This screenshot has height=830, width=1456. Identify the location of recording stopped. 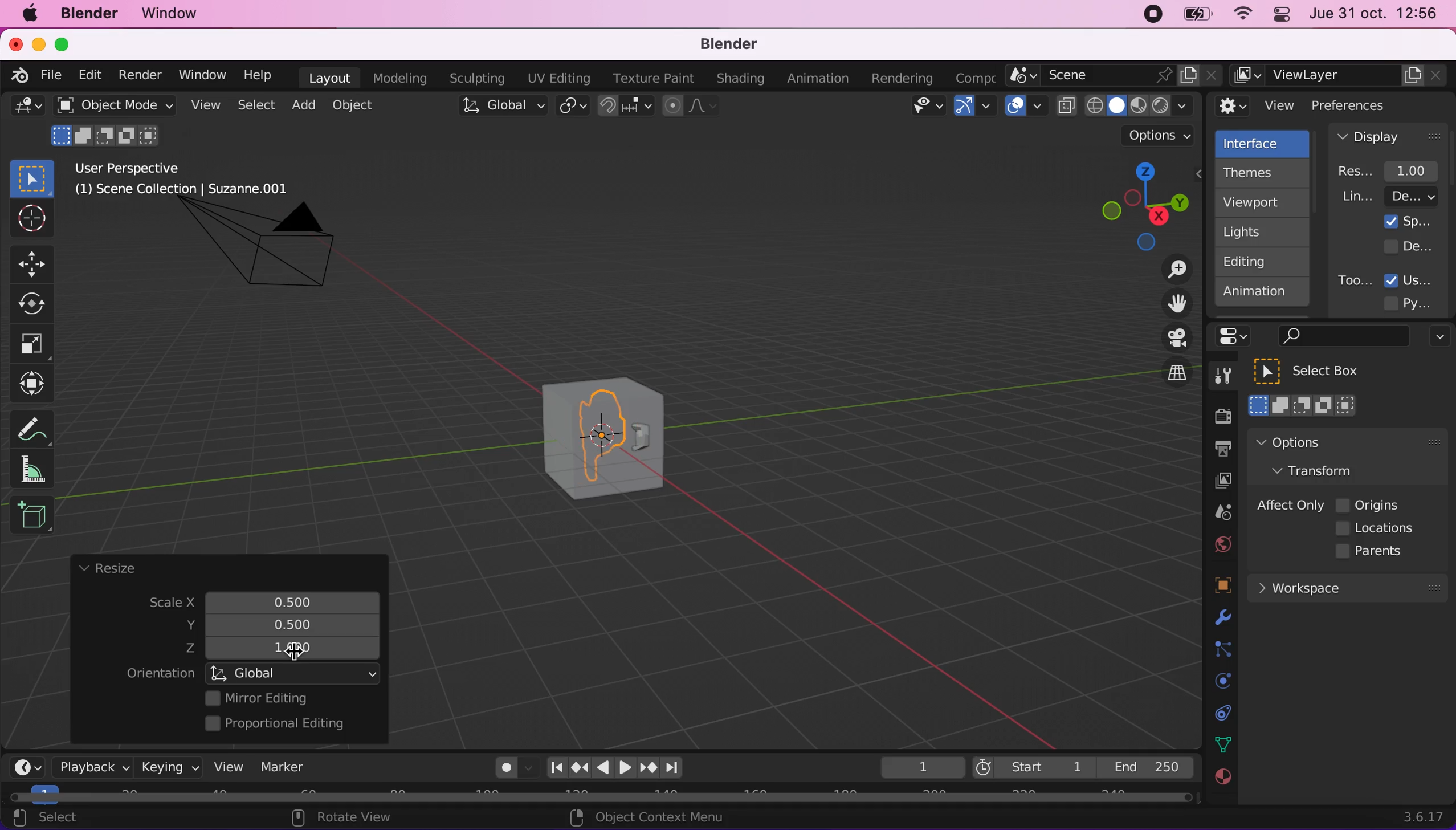
(1148, 16).